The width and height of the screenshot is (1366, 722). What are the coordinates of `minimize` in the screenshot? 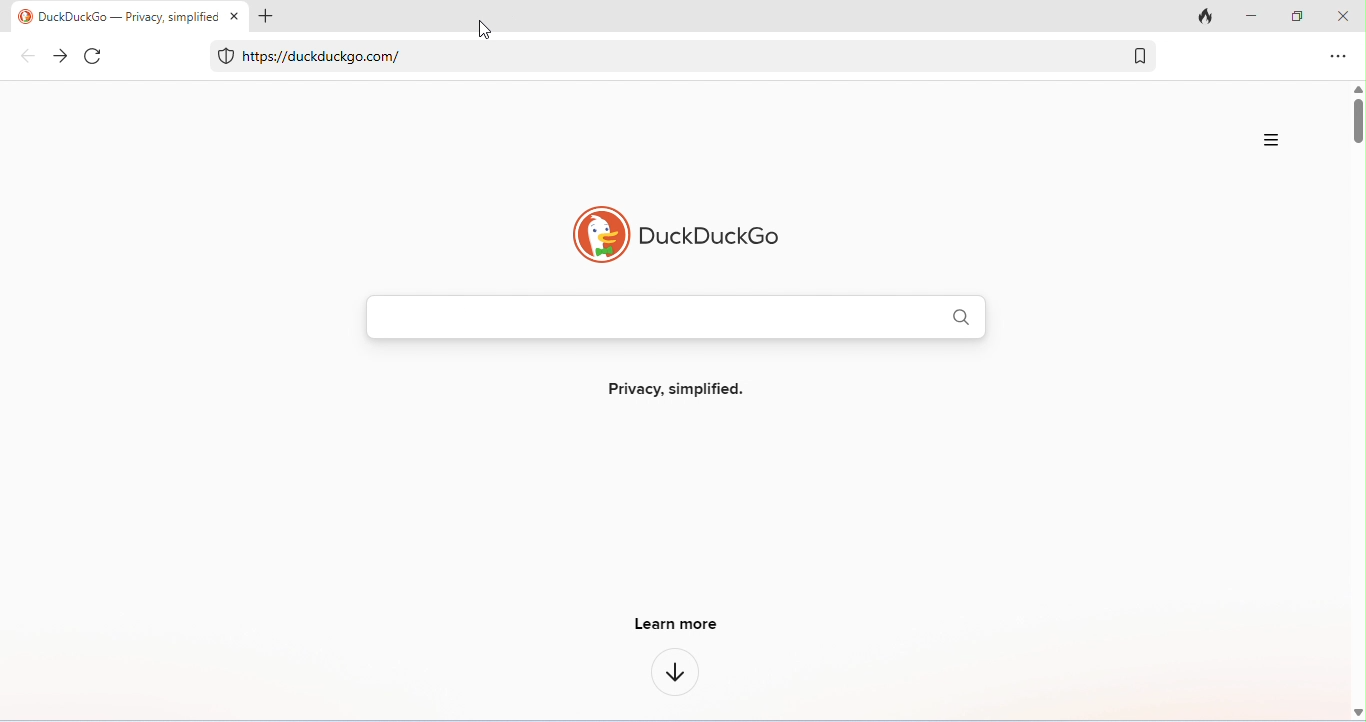 It's located at (1253, 17).